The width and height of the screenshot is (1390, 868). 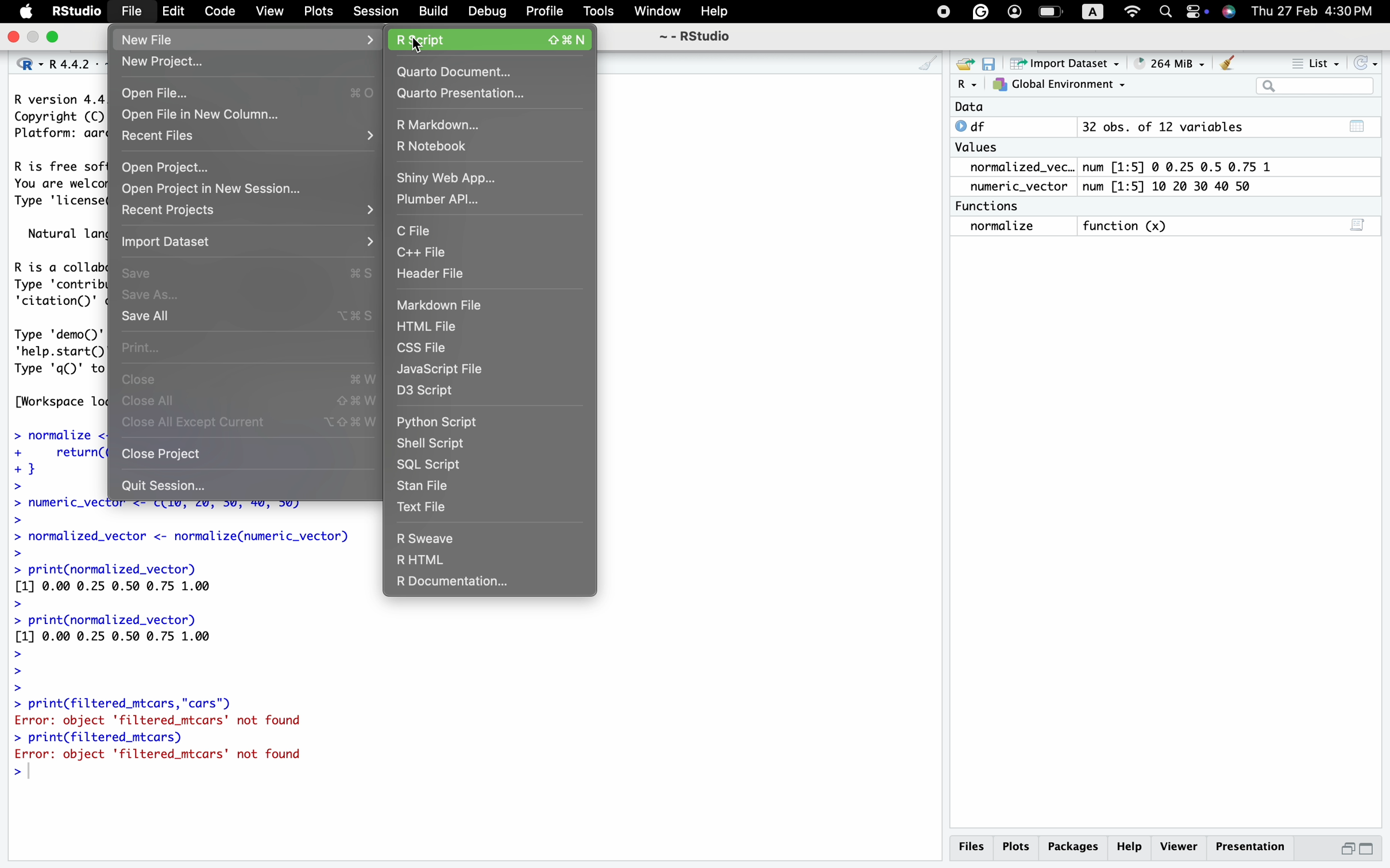 What do you see at coordinates (250, 378) in the screenshot?
I see `close` at bounding box center [250, 378].